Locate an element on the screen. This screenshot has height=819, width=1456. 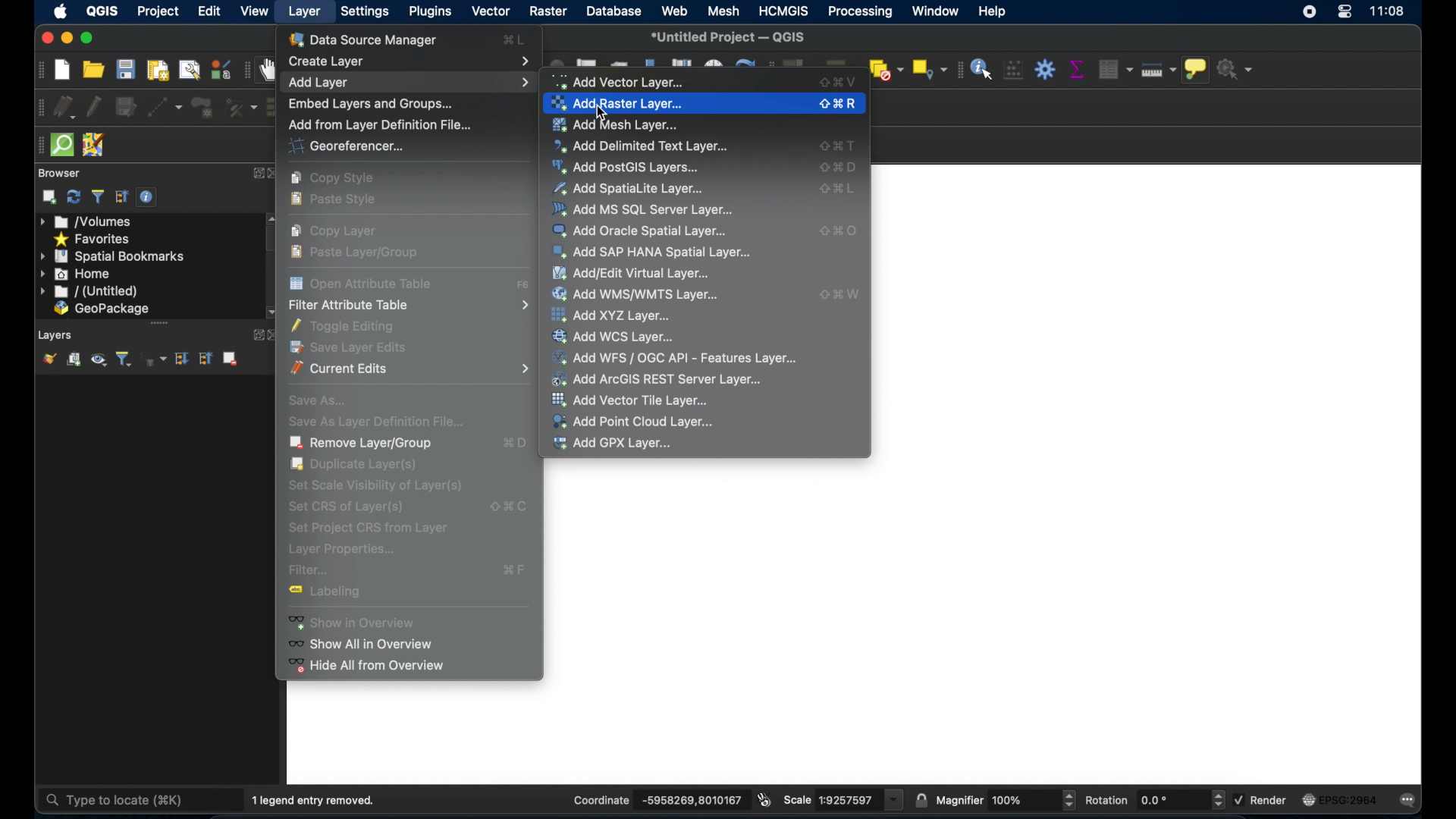
add xwyz layer is located at coordinates (613, 315).